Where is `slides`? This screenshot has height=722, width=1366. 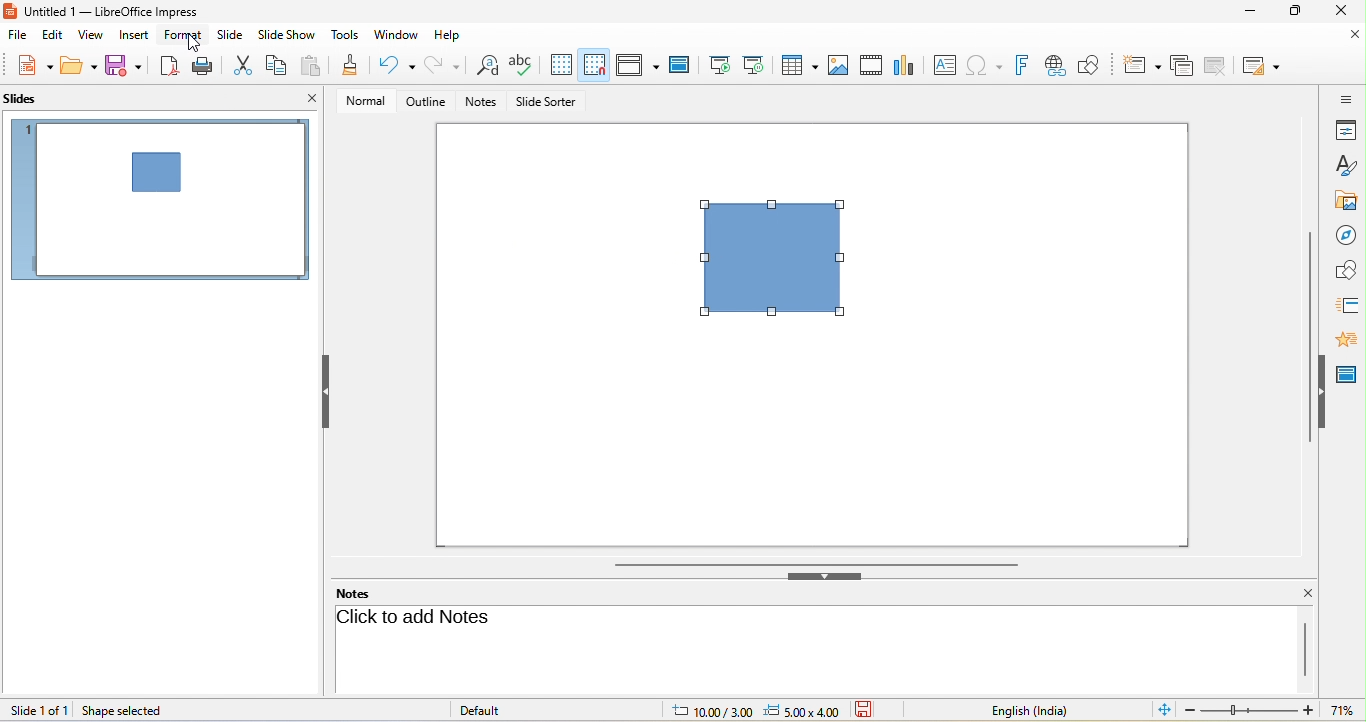 slides is located at coordinates (24, 98).